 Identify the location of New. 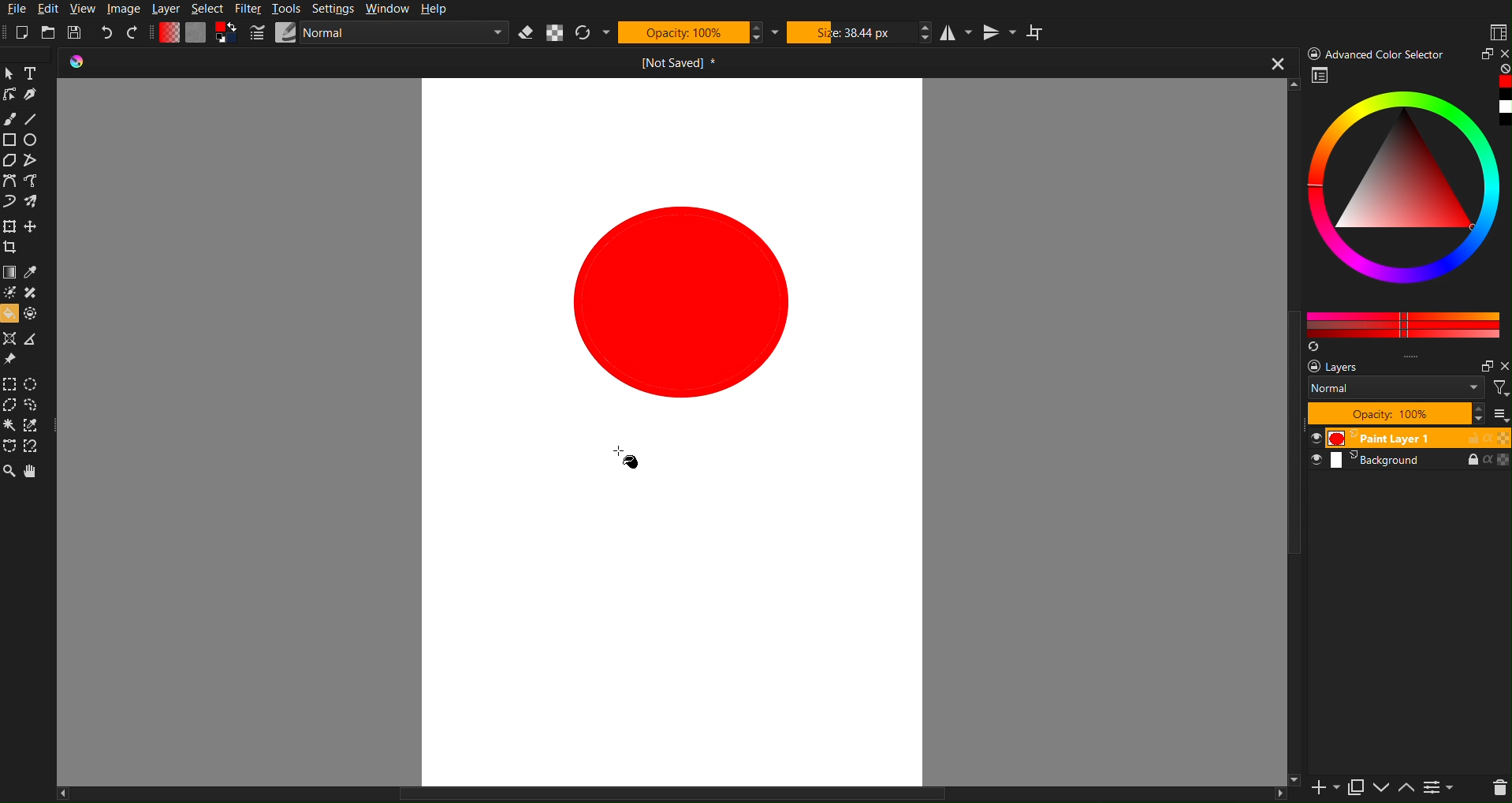
(17, 34).